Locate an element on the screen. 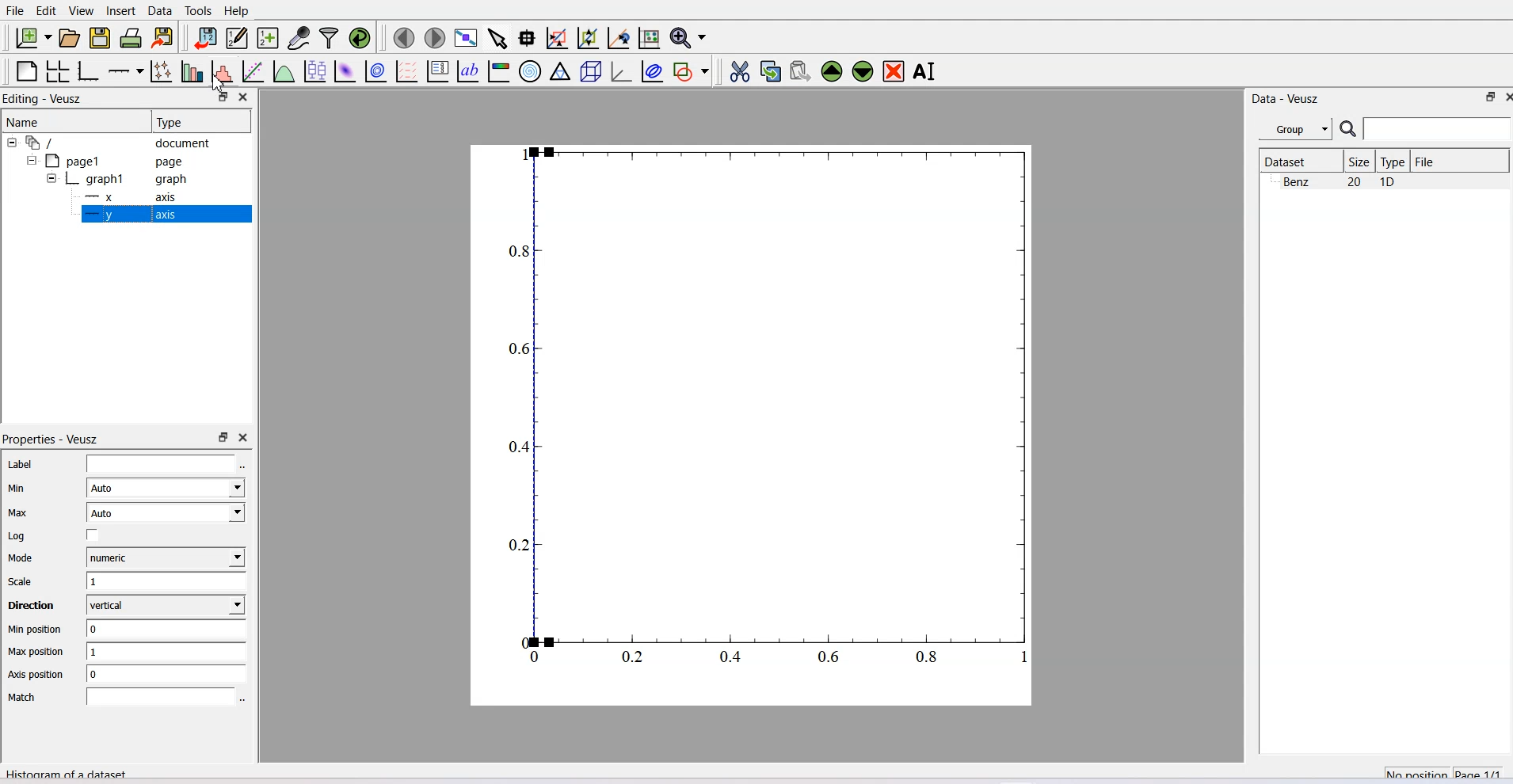 Image resolution: width=1513 pixels, height=784 pixels. Move the selected widget down is located at coordinates (862, 72).